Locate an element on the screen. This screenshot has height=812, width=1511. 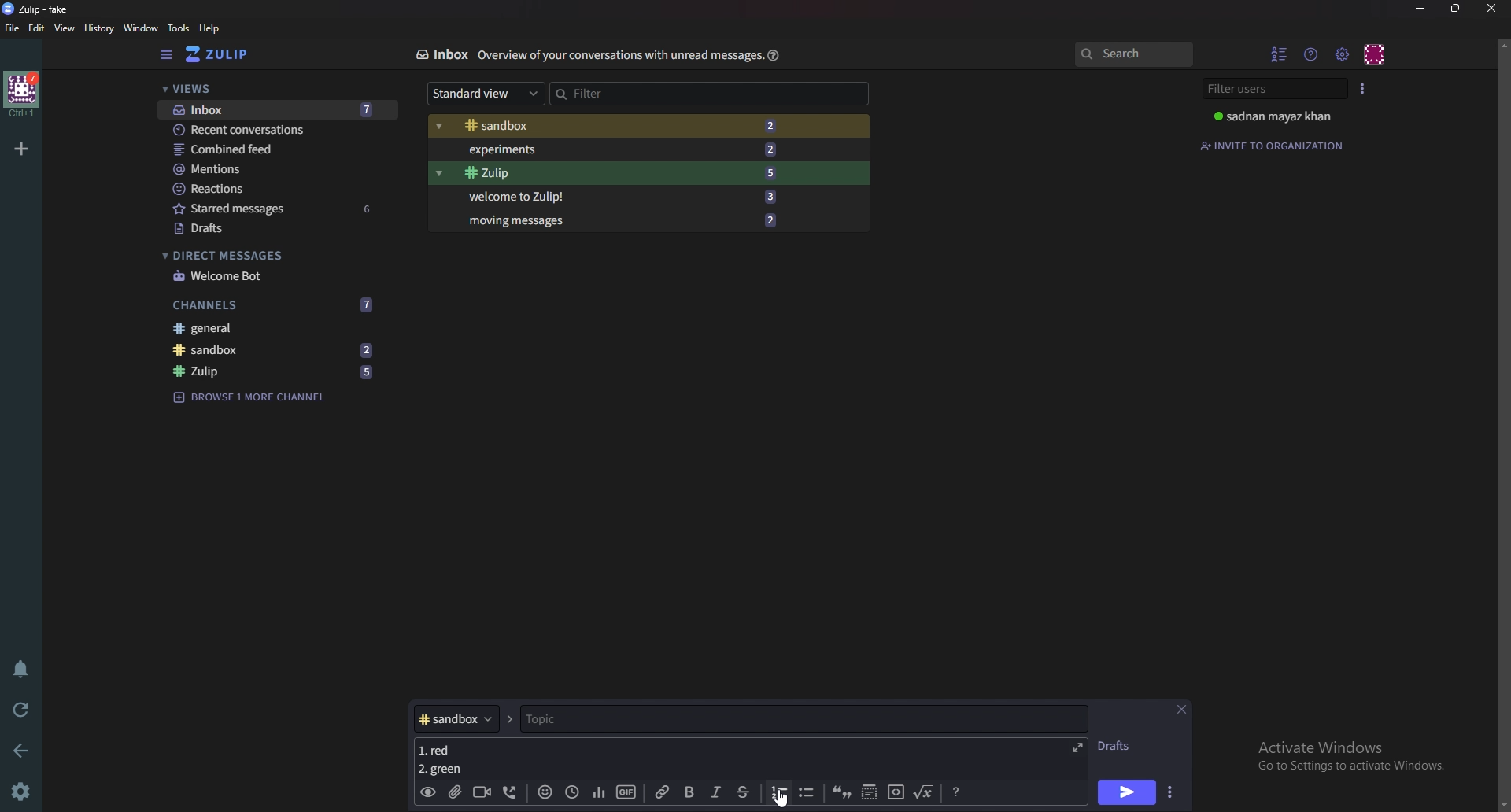
gif is located at coordinates (625, 790).